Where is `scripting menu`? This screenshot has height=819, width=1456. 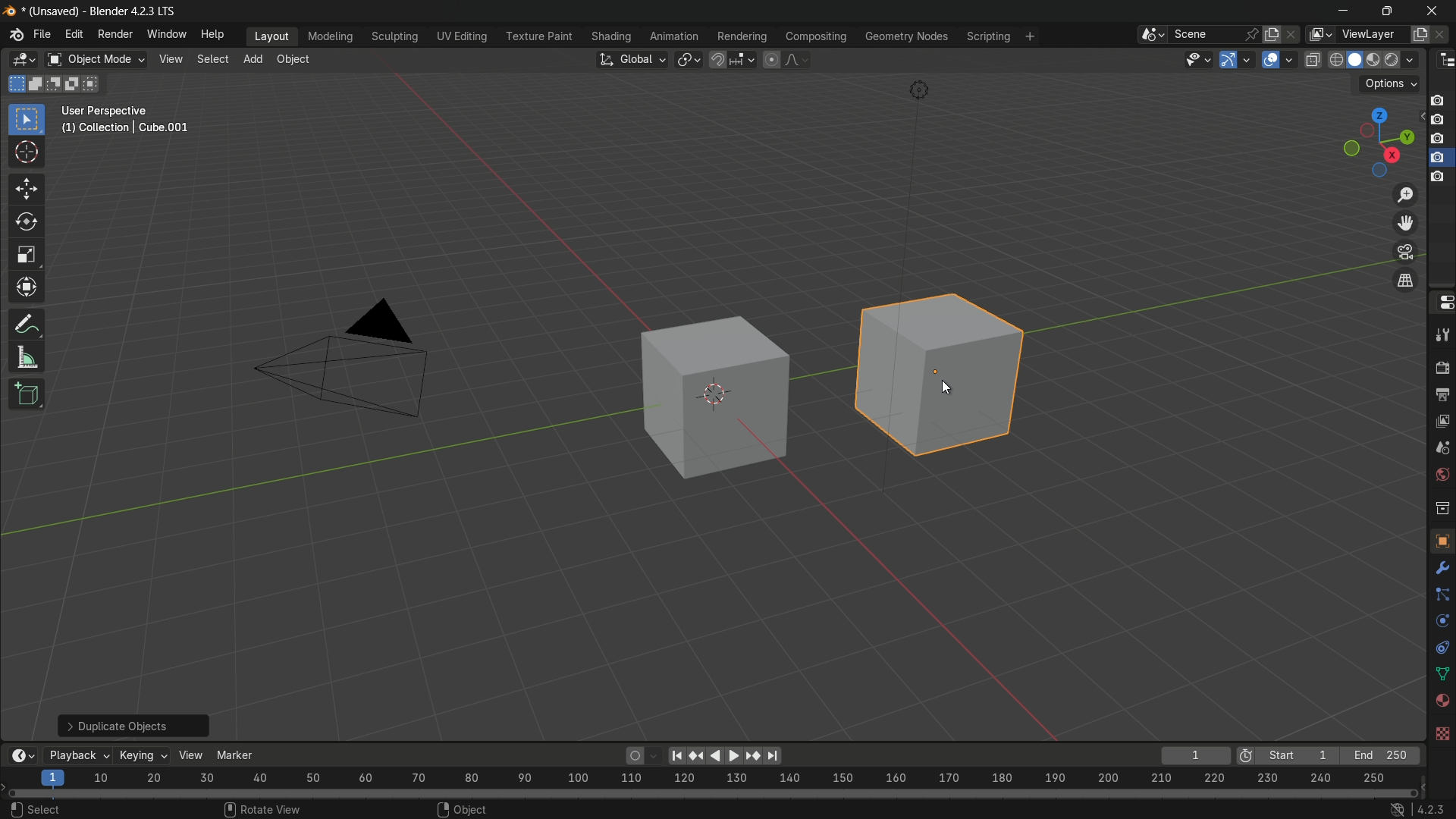 scripting menu is located at coordinates (987, 36).